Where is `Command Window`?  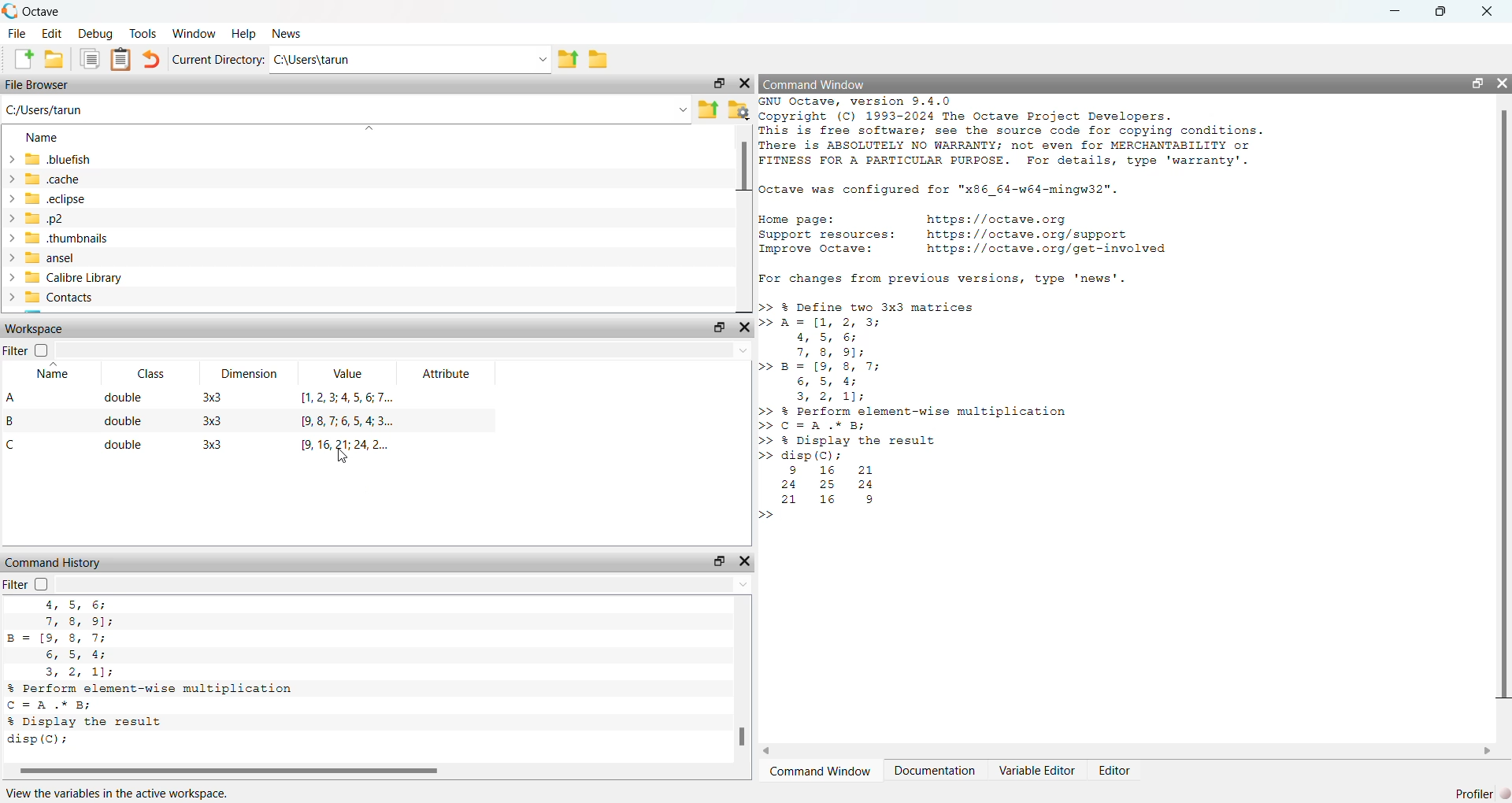 Command Window is located at coordinates (815, 83).